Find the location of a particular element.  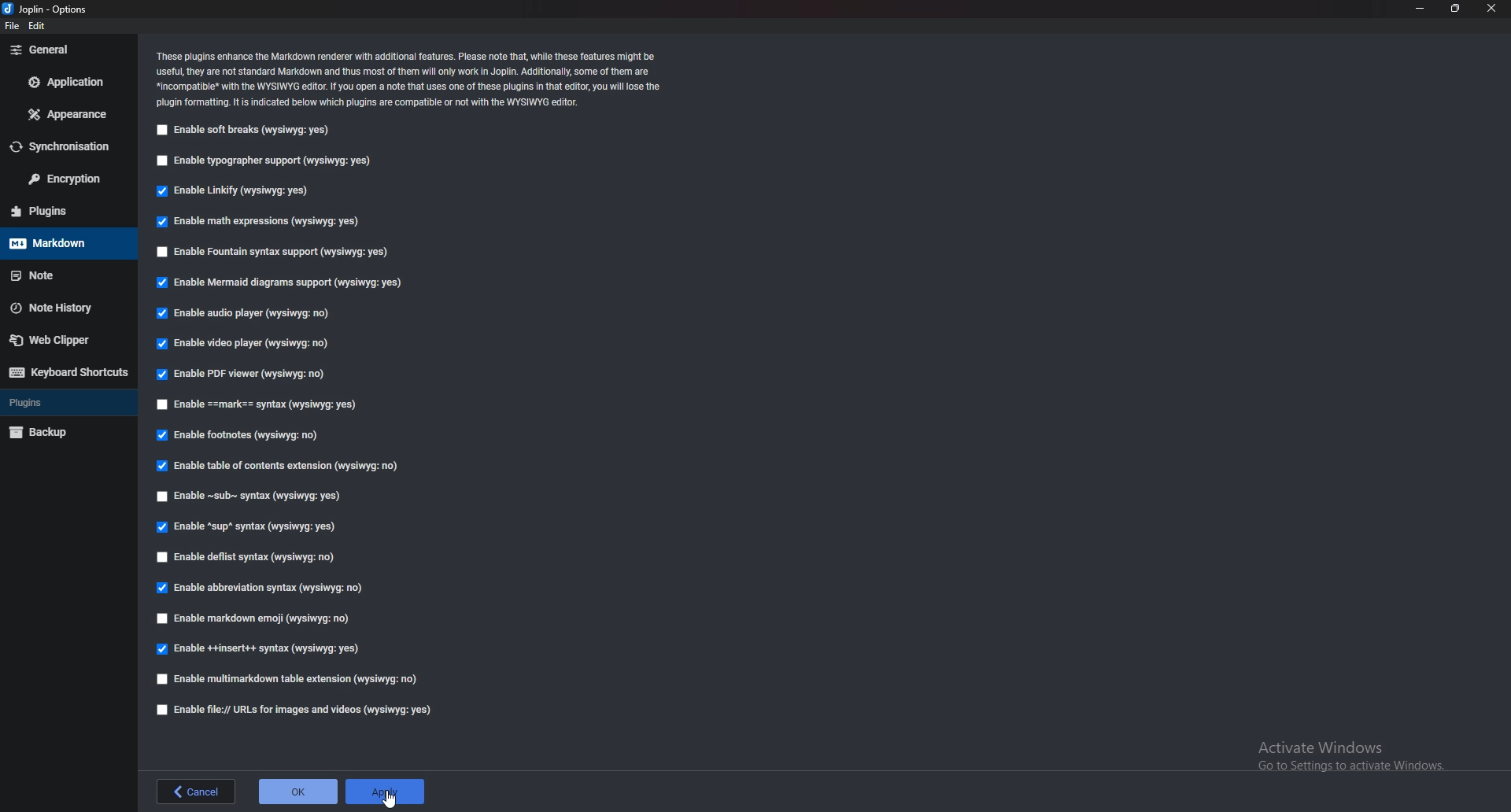

Encryption is located at coordinates (65, 179).